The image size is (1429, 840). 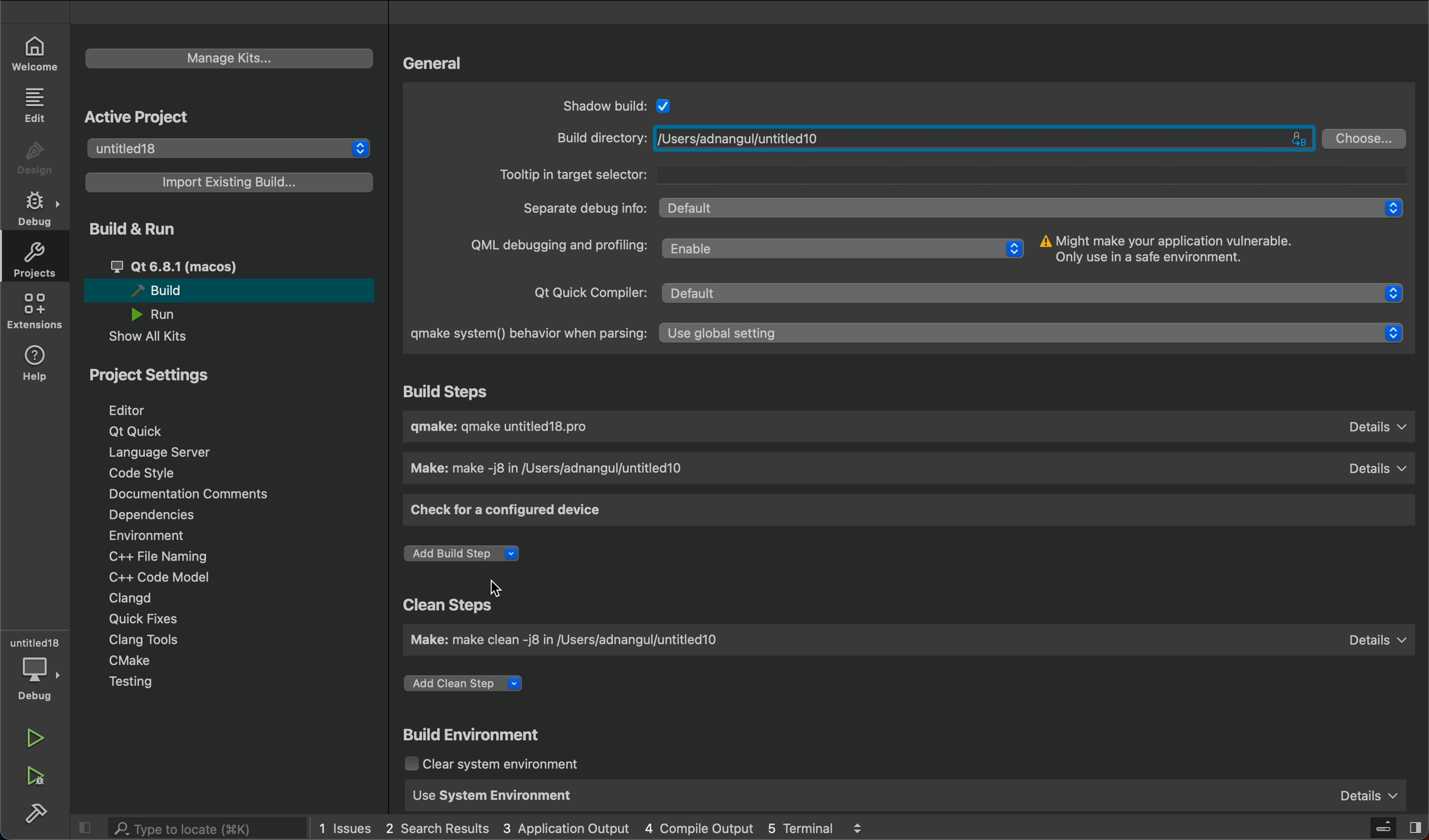 What do you see at coordinates (492, 797) in the screenshot?
I see `Use System Environment` at bounding box center [492, 797].